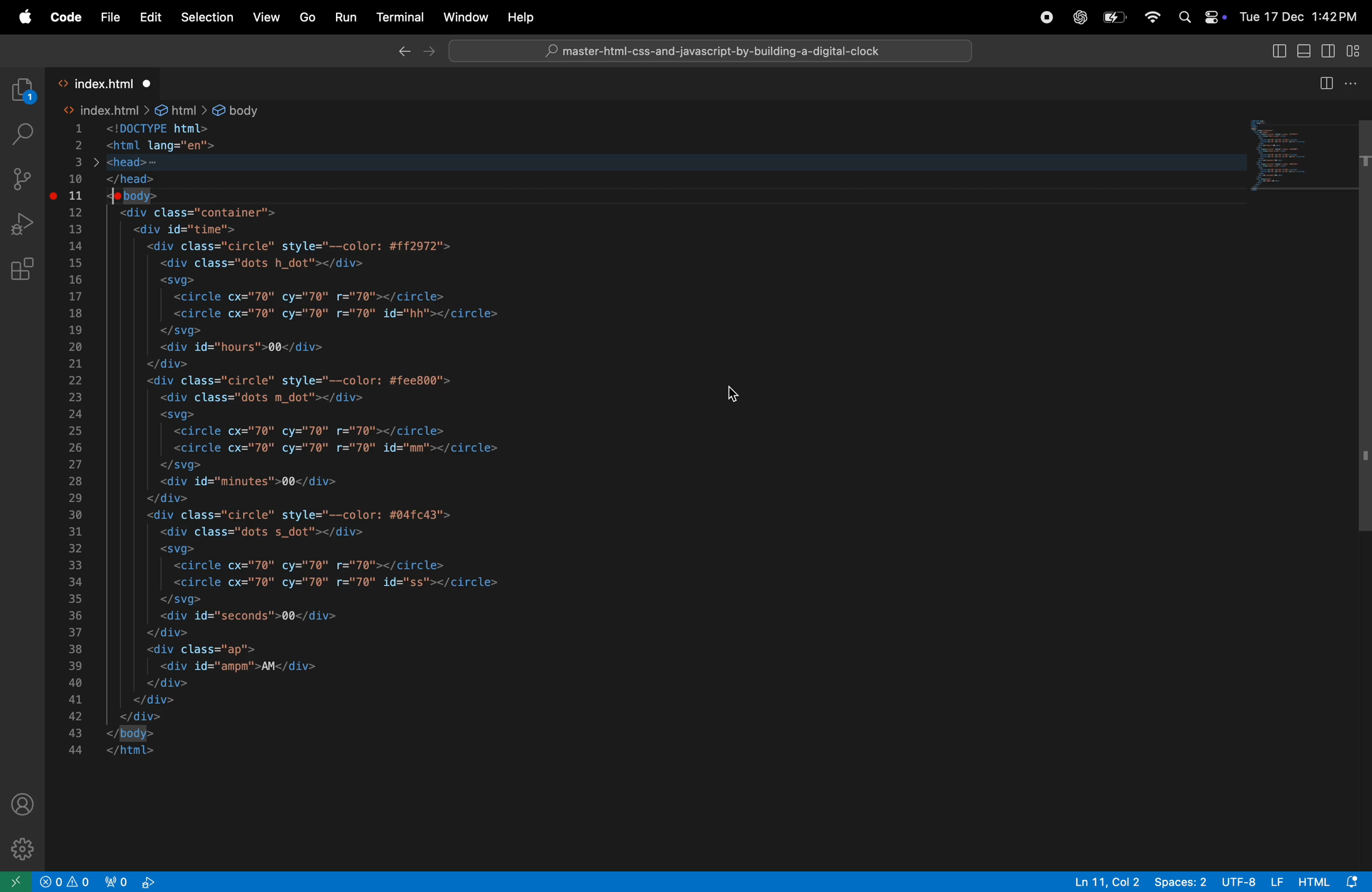 Image resolution: width=1372 pixels, height=892 pixels. What do you see at coordinates (26, 18) in the screenshot?
I see `apple menu` at bounding box center [26, 18].